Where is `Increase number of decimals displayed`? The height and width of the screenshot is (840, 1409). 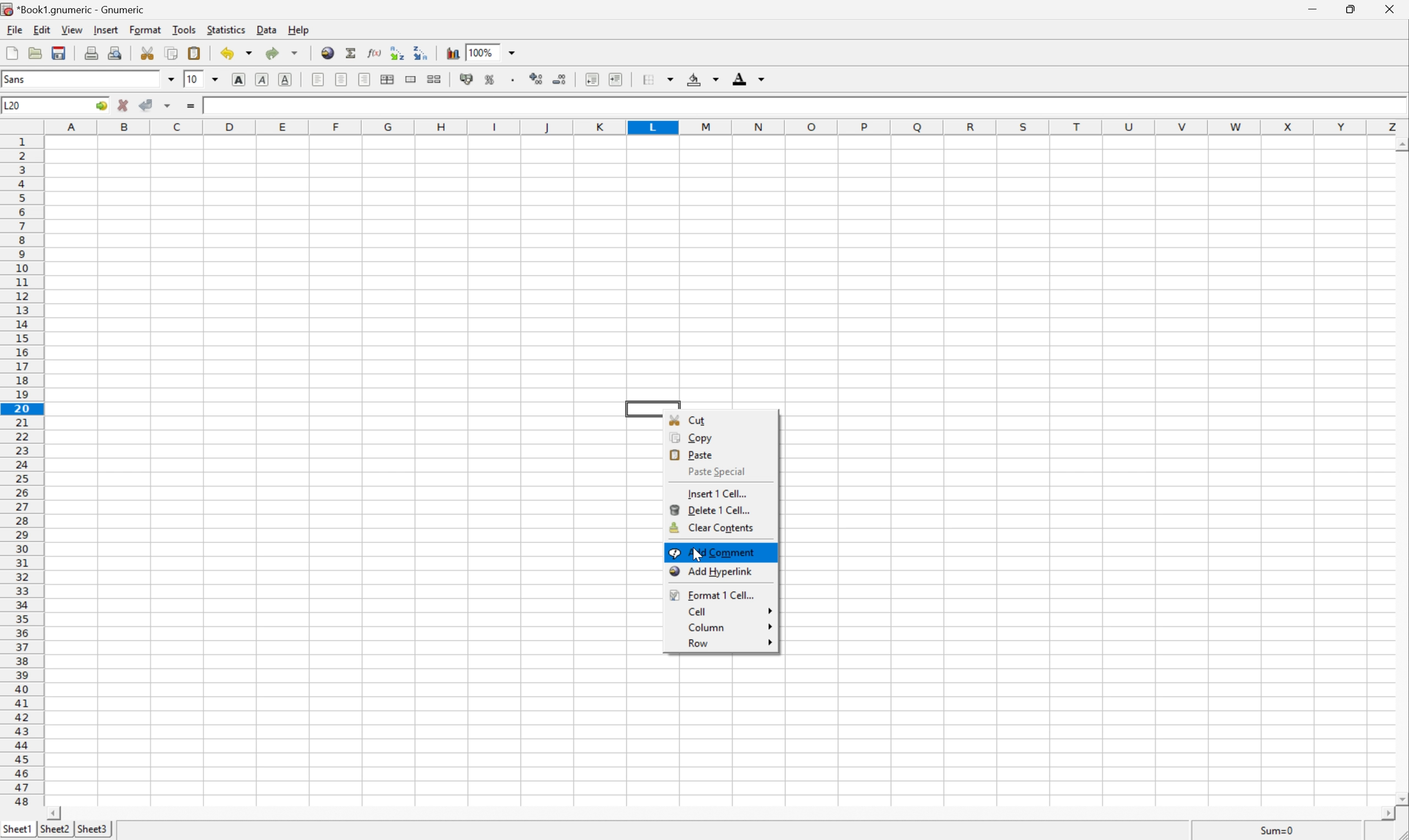
Increase number of decimals displayed is located at coordinates (537, 79).